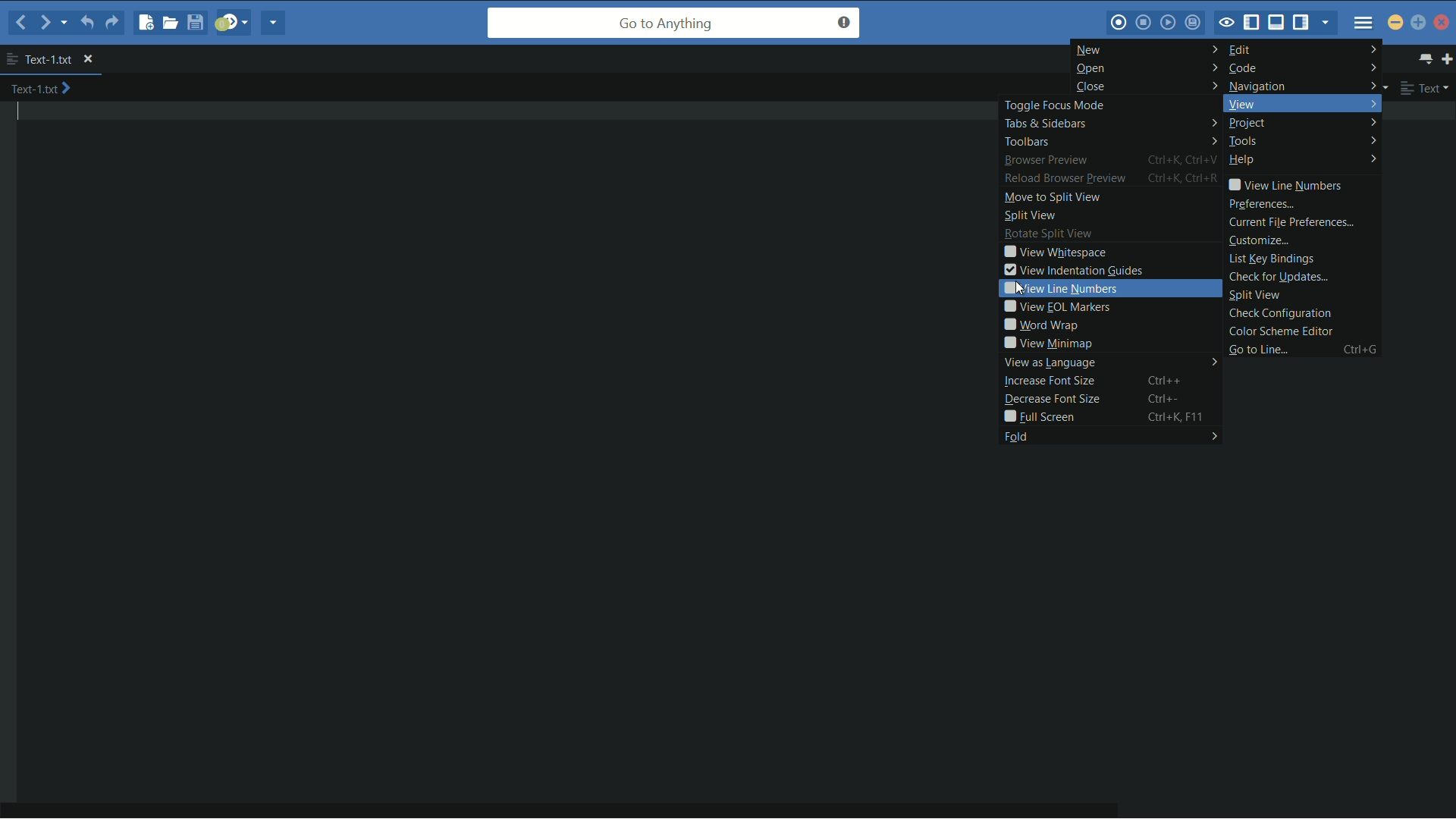 The width and height of the screenshot is (1456, 819). What do you see at coordinates (1160, 380) in the screenshot?
I see `Ctrl++` at bounding box center [1160, 380].